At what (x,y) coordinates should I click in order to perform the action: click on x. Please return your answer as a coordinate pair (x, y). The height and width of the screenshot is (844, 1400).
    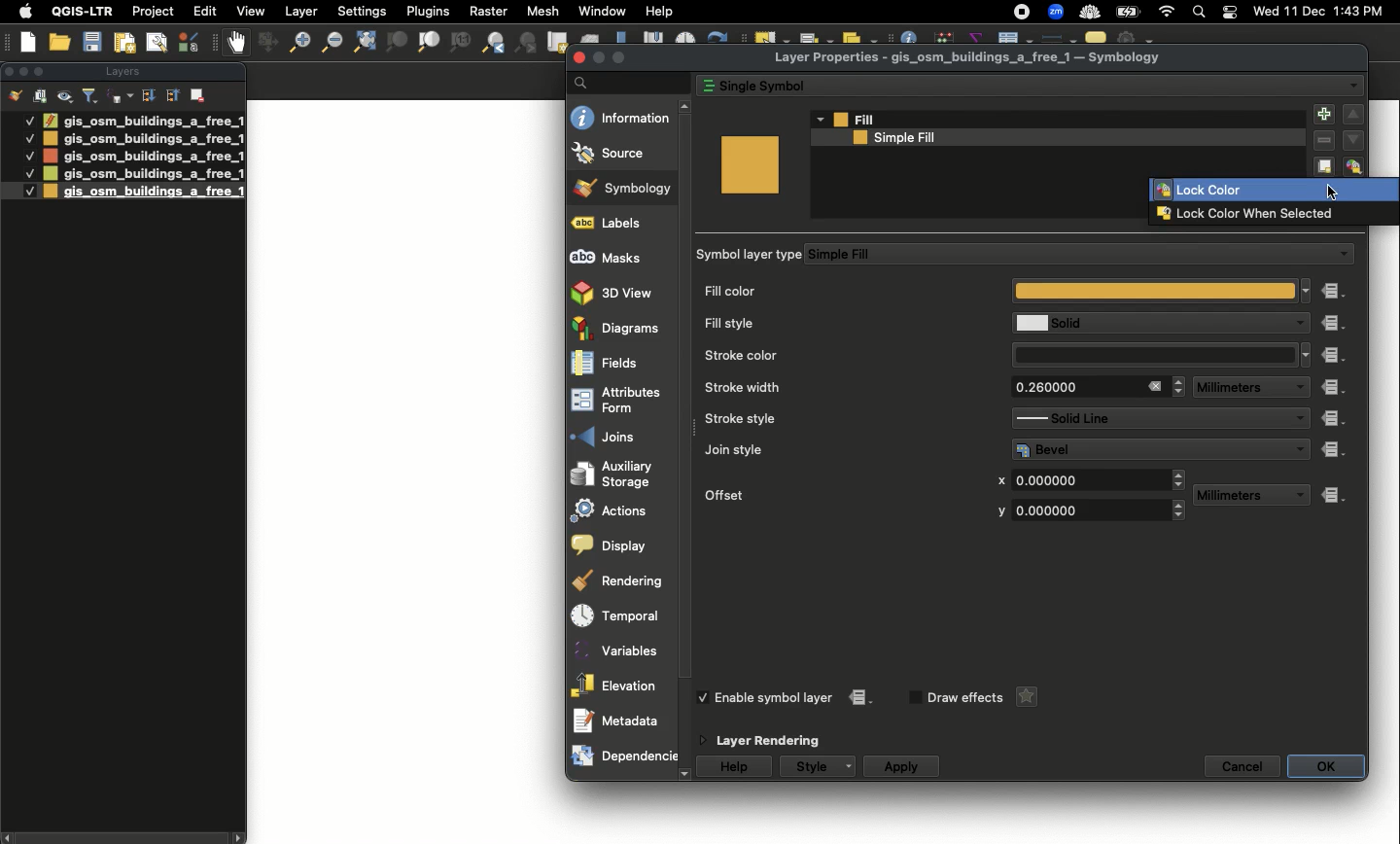
    Looking at the image, I should click on (1000, 481).